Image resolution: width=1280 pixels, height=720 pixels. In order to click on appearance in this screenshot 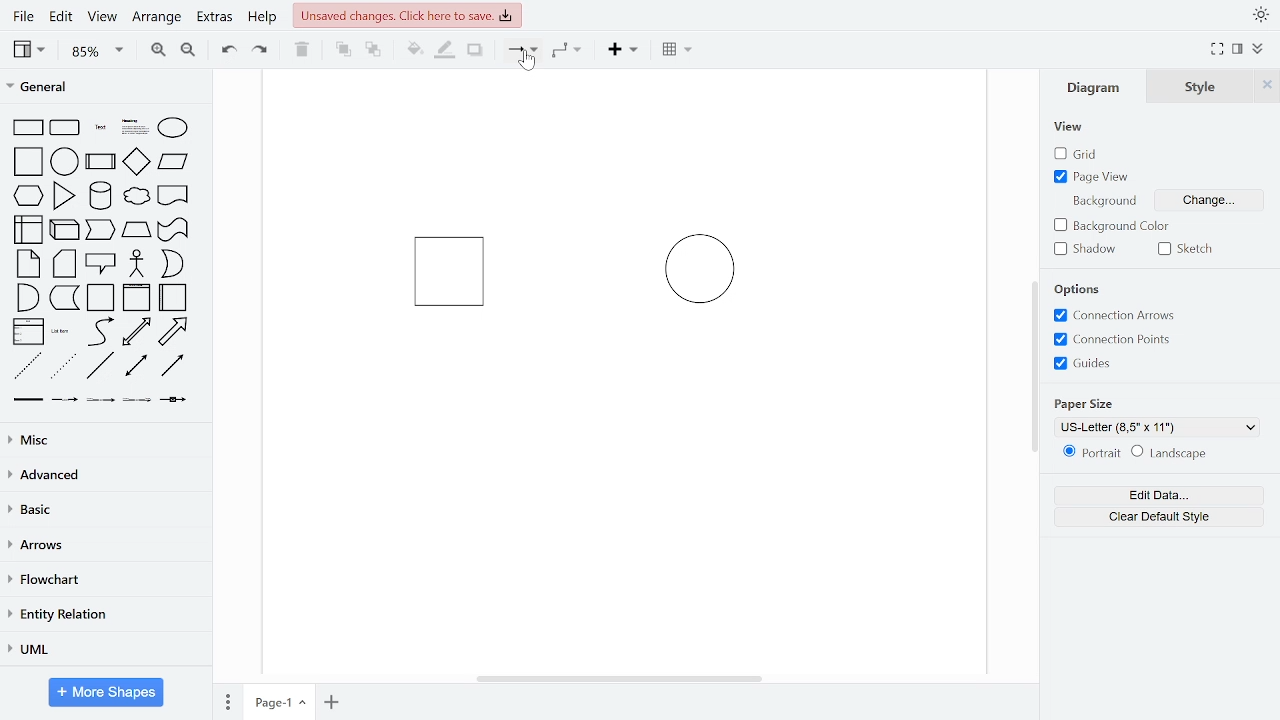, I will do `click(1260, 15)`.